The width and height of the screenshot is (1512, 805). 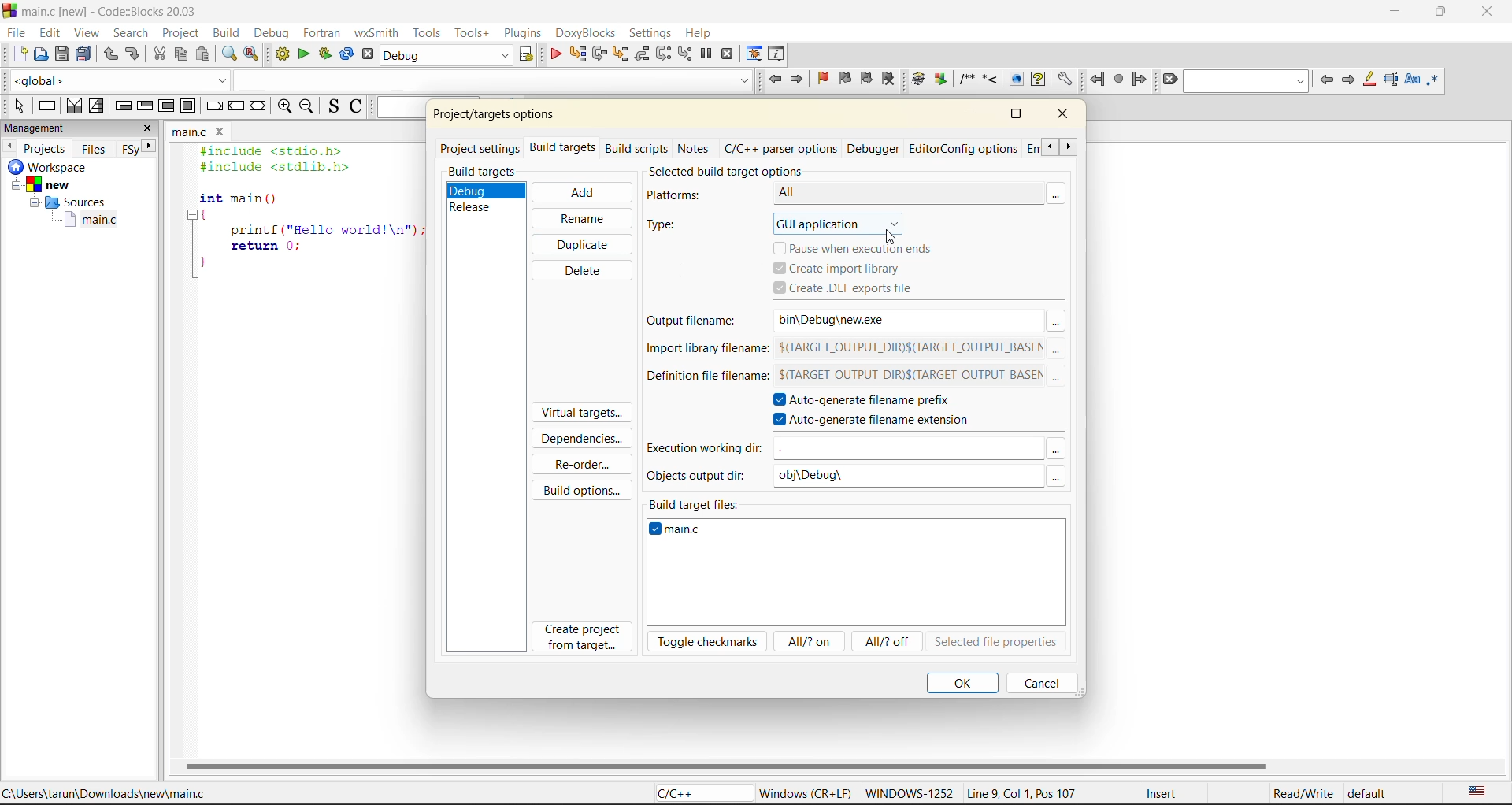 What do you see at coordinates (475, 189) in the screenshot?
I see `debug` at bounding box center [475, 189].